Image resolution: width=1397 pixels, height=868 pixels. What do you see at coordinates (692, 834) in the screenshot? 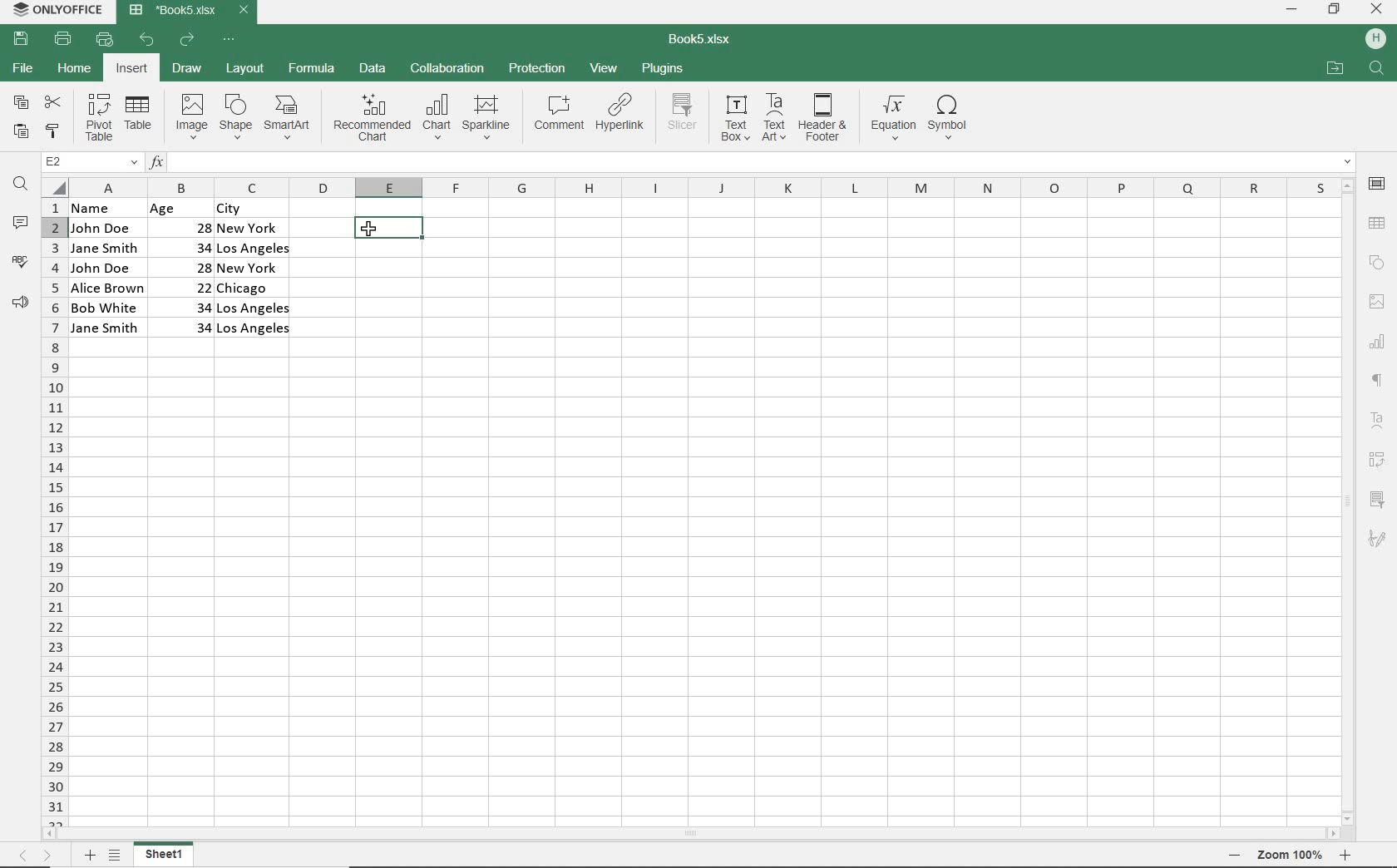
I see `SCROLLBAR` at bounding box center [692, 834].